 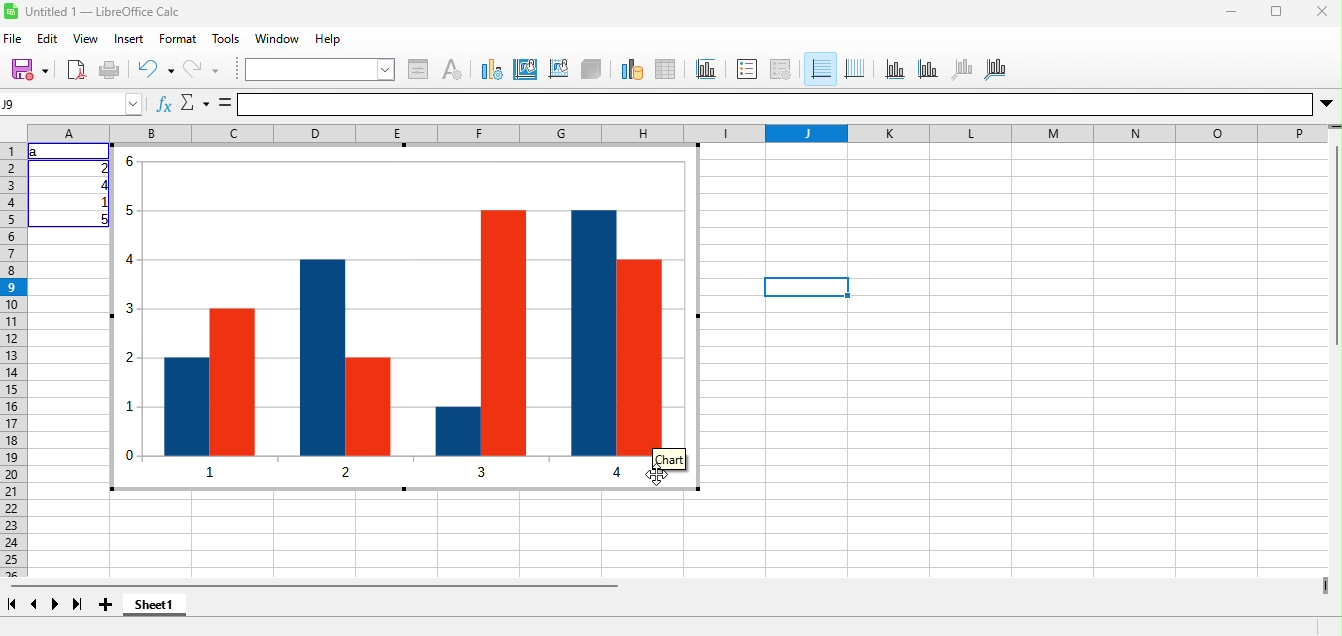 I want to click on chart wall, so click(x=559, y=70).